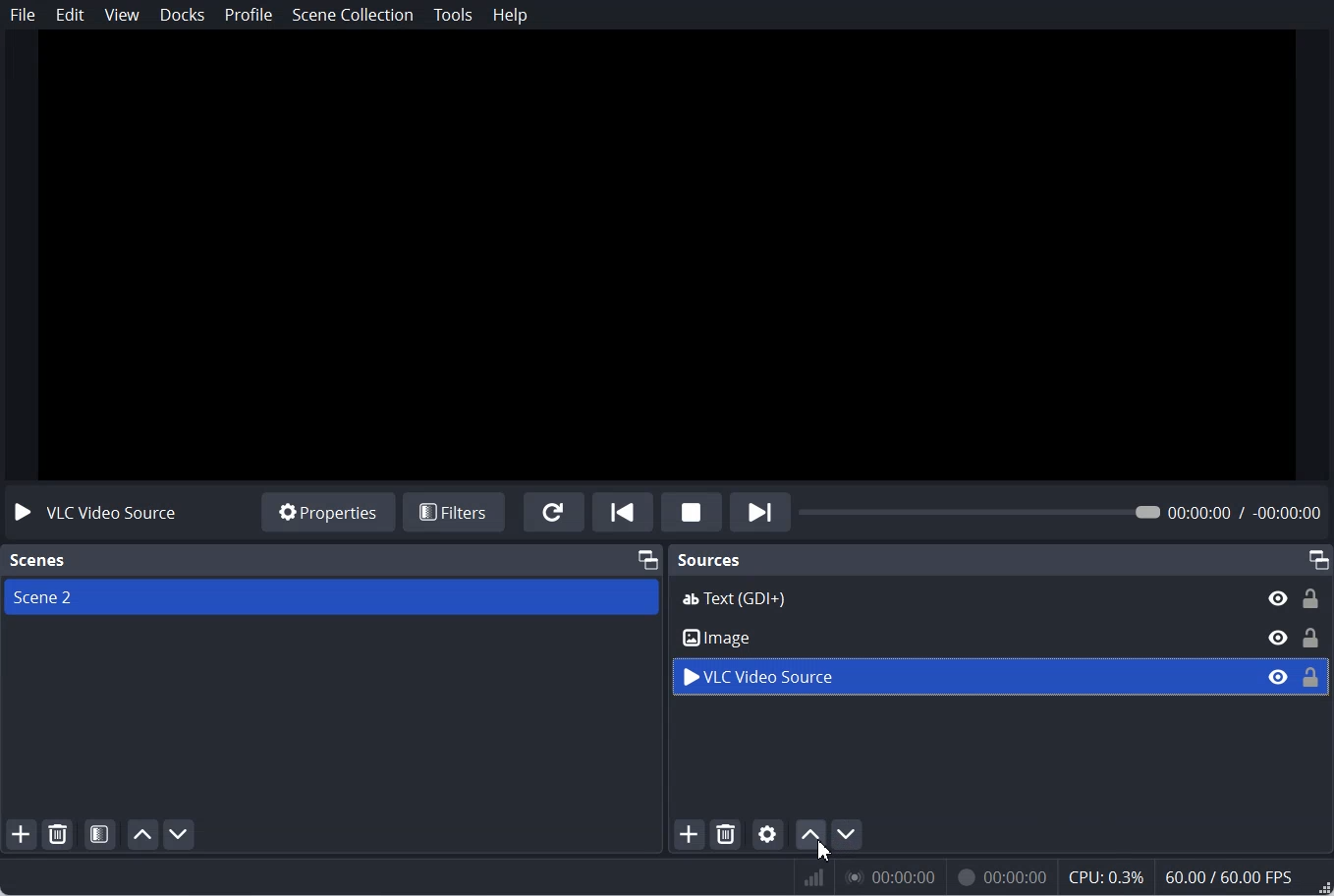 This screenshot has height=896, width=1334. I want to click on Maximize, so click(1318, 558).